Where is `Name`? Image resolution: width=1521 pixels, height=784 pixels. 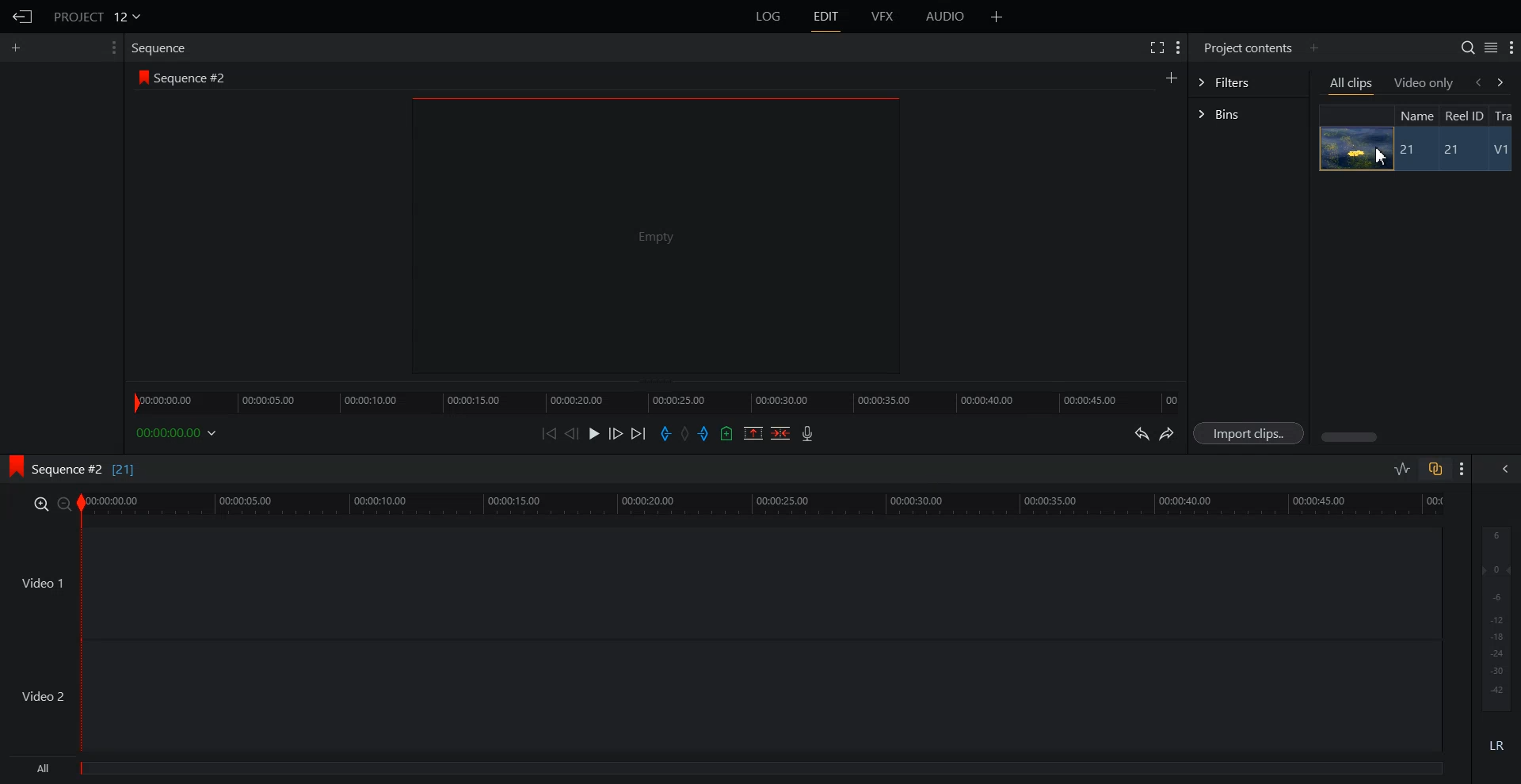 Name is located at coordinates (1415, 115).